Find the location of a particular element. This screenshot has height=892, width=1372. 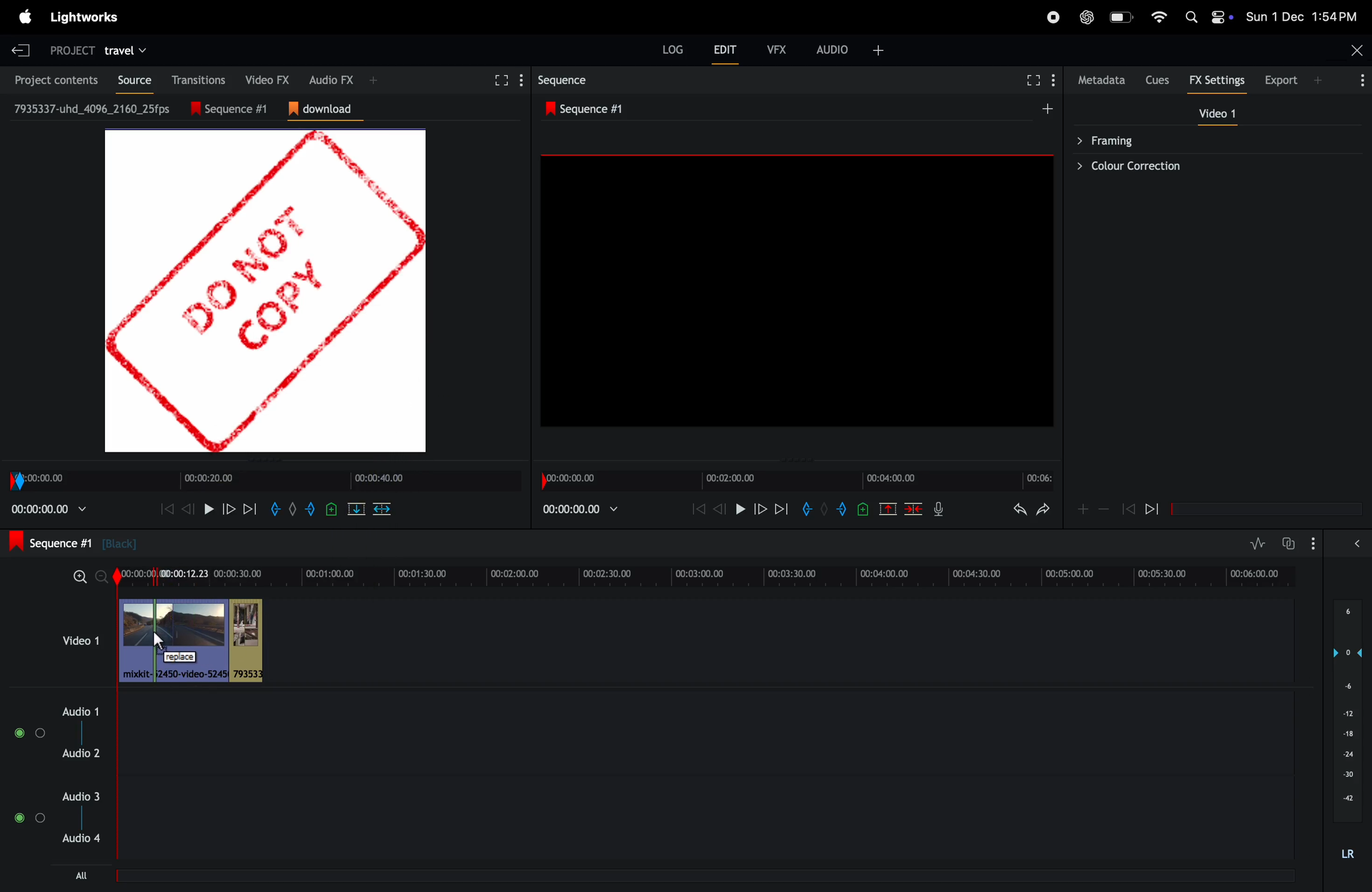

bars is located at coordinates (31, 733).